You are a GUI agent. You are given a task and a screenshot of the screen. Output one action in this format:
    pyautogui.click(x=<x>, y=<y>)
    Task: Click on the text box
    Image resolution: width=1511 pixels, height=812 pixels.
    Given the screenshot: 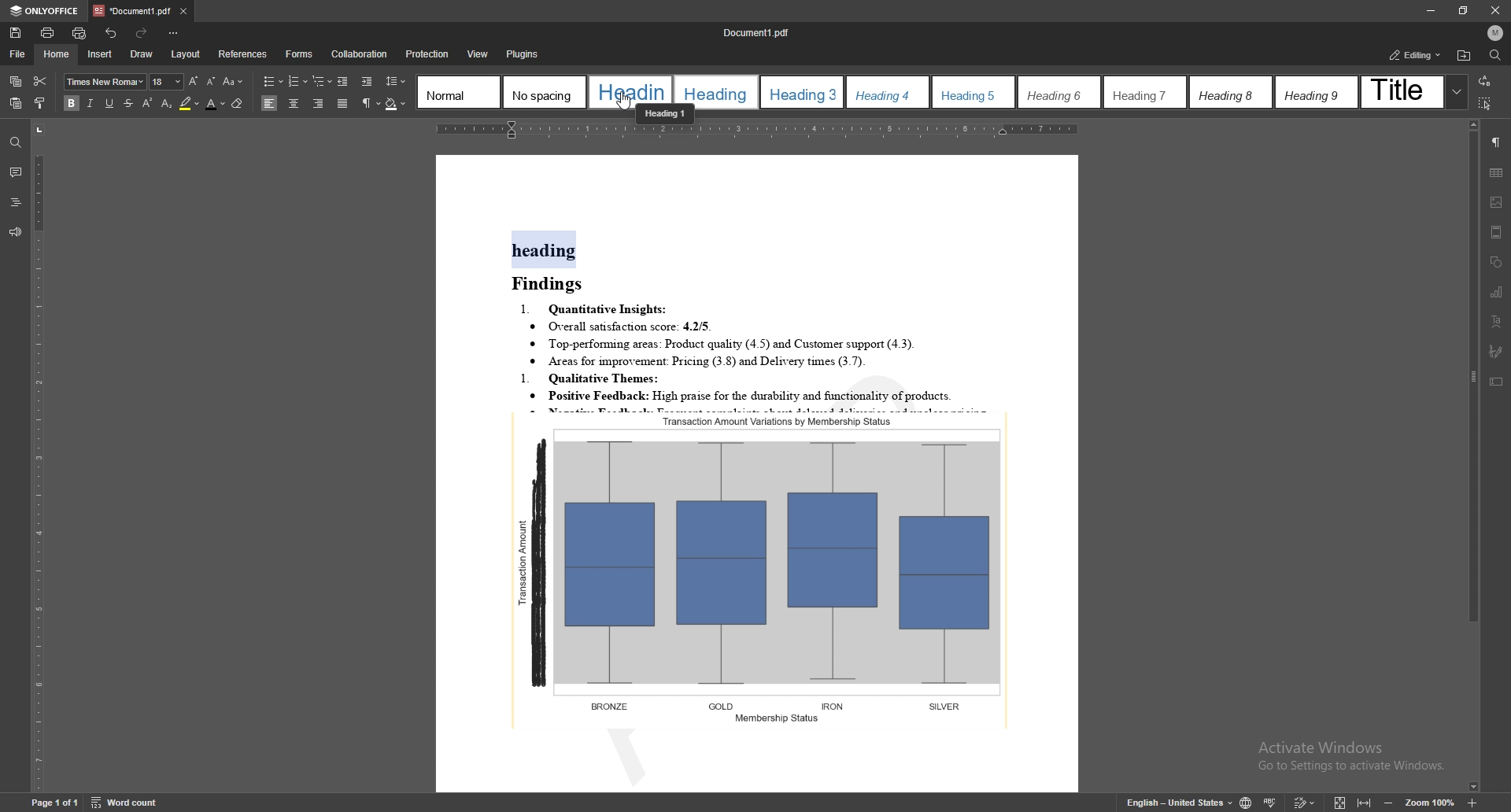 What is the action you would take?
    pyautogui.click(x=1496, y=382)
    